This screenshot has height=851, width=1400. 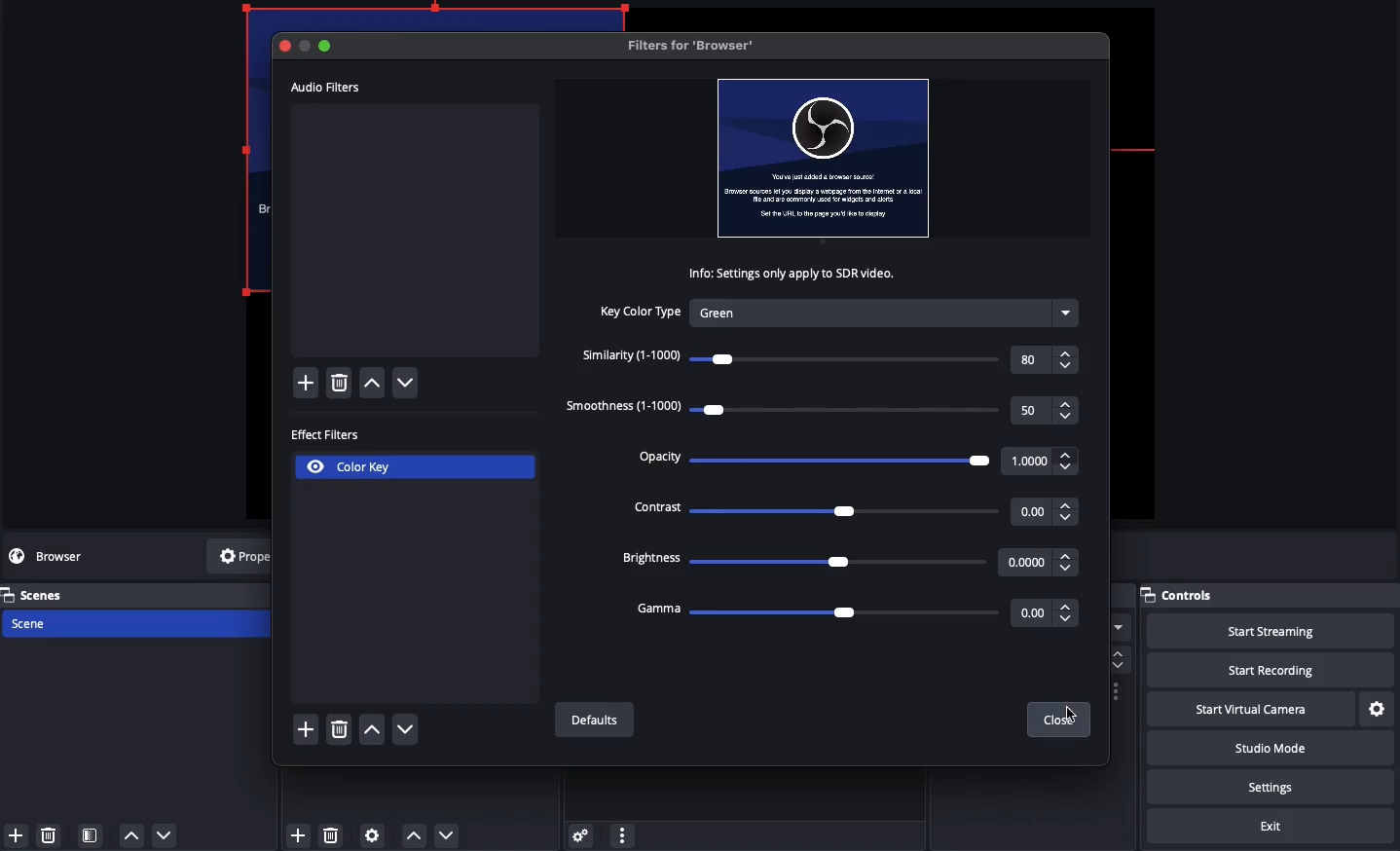 What do you see at coordinates (1264, 669) in the screenshot?
I see `Start recording` at bounding box center [1264, 669].